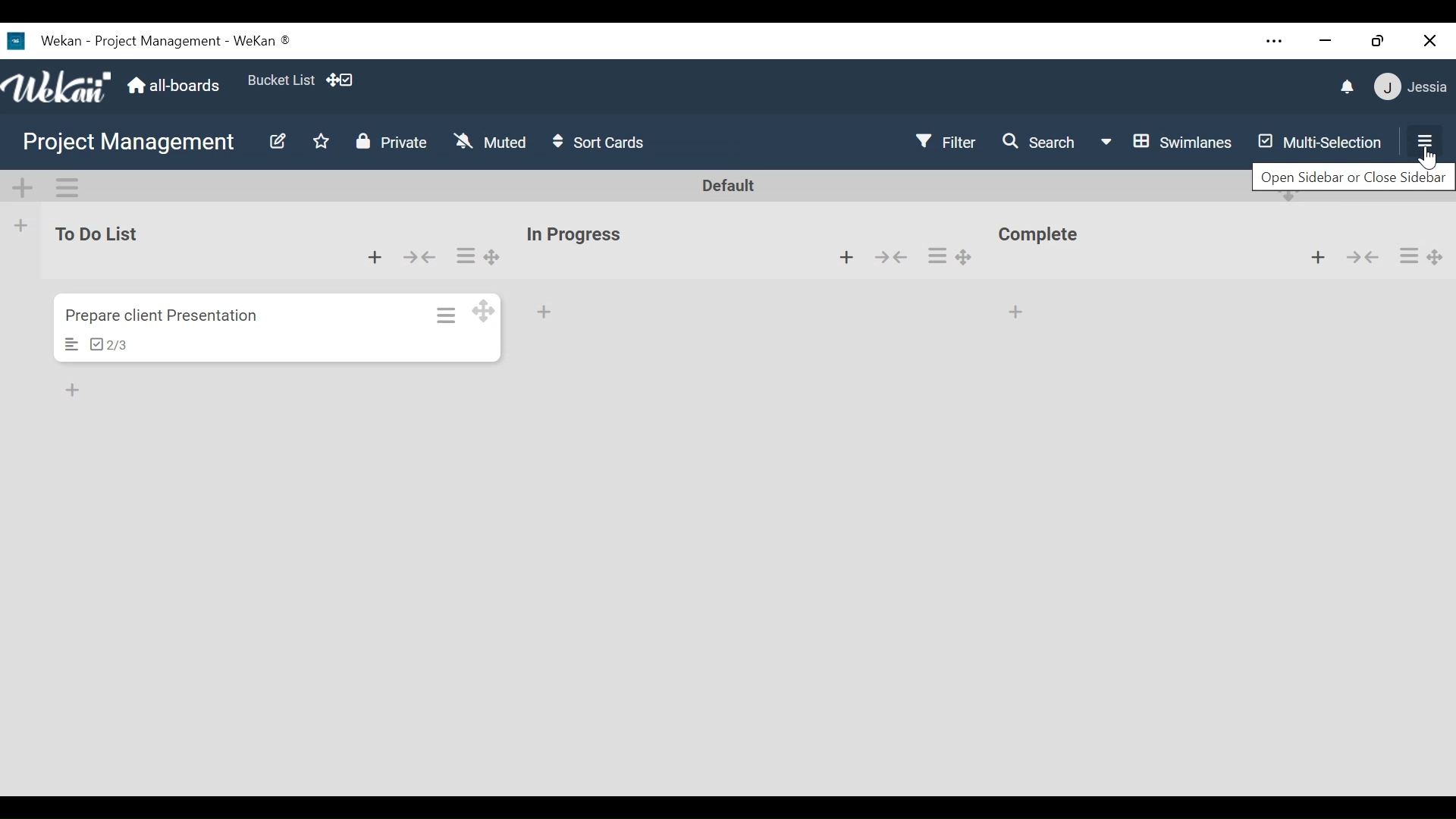 The image size is (1456, 819). I want to click on List Title, so click(94, 234).